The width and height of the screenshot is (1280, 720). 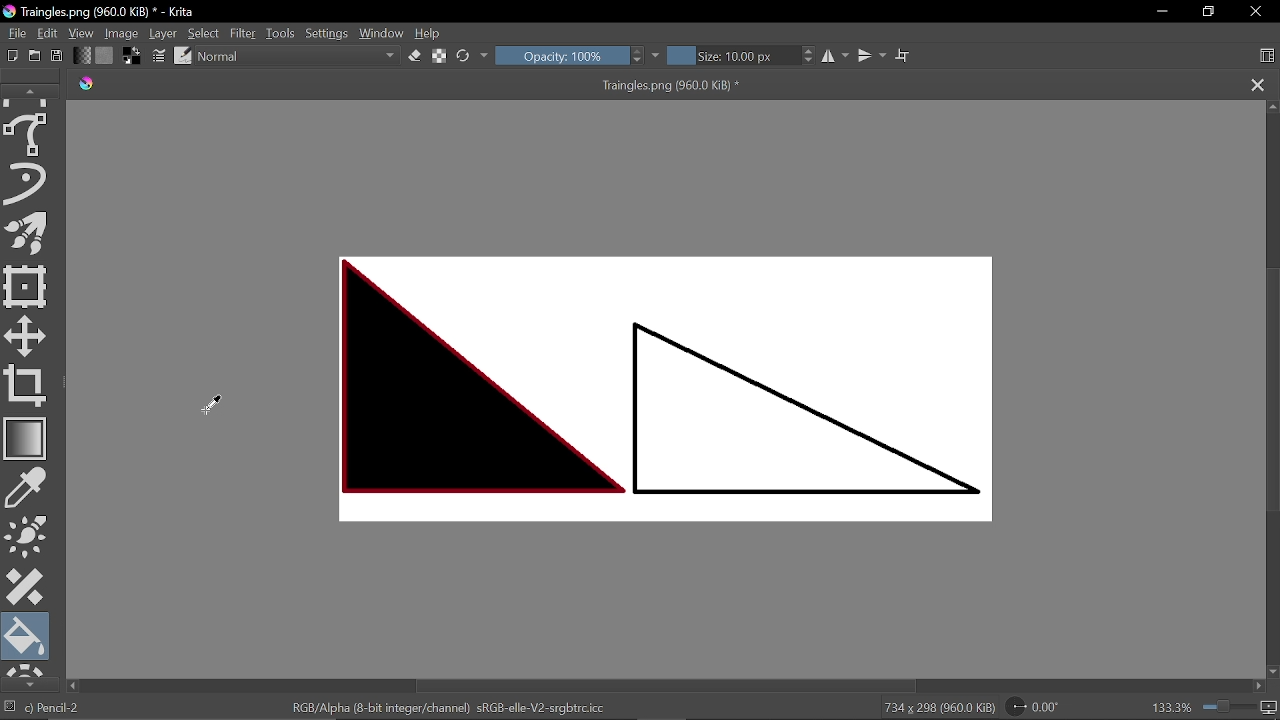 I want to click on Multibrush tool, so click(x=29, y=233).